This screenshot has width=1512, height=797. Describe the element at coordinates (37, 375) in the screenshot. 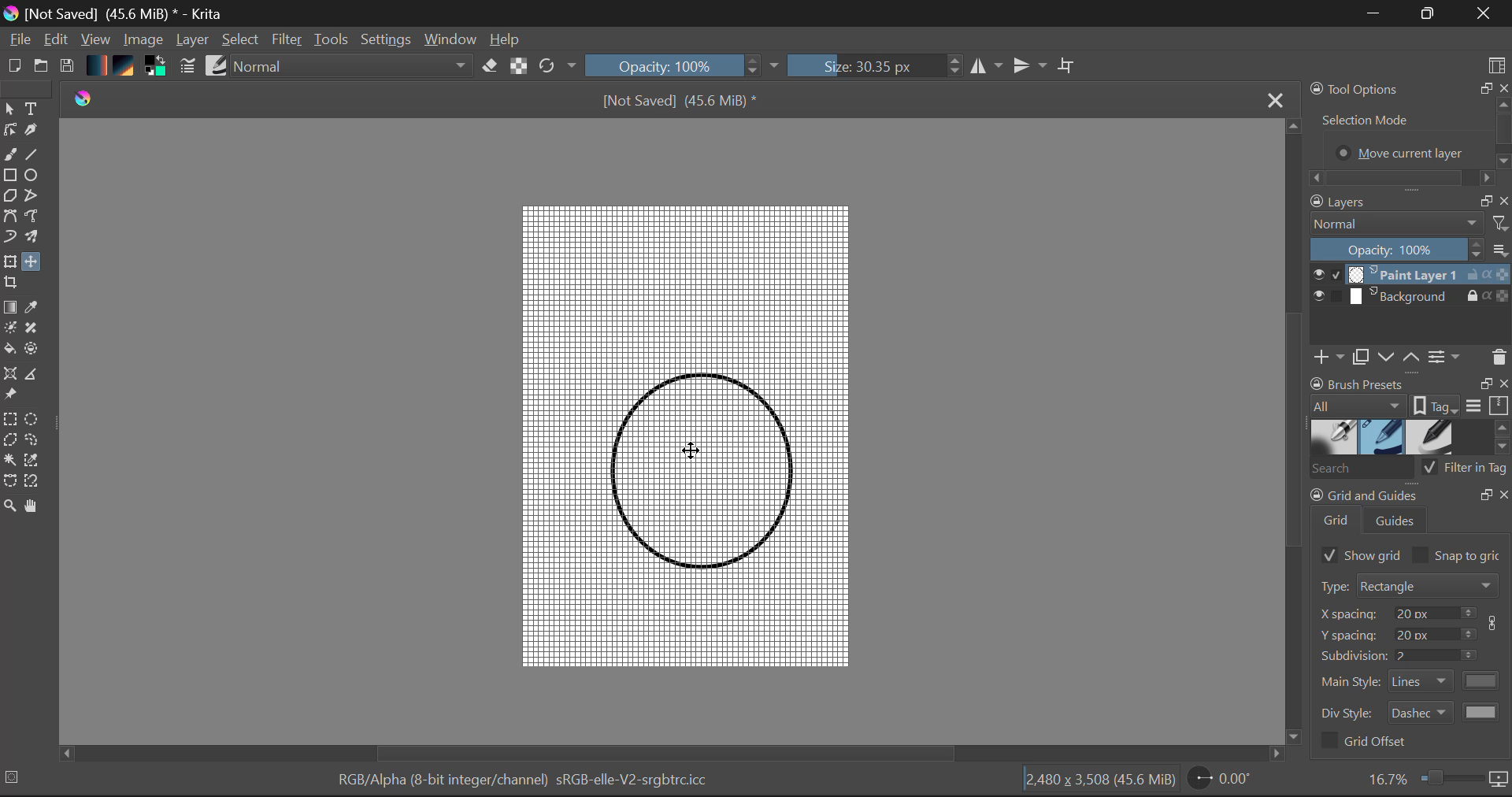

I see `Measurements` at that location.